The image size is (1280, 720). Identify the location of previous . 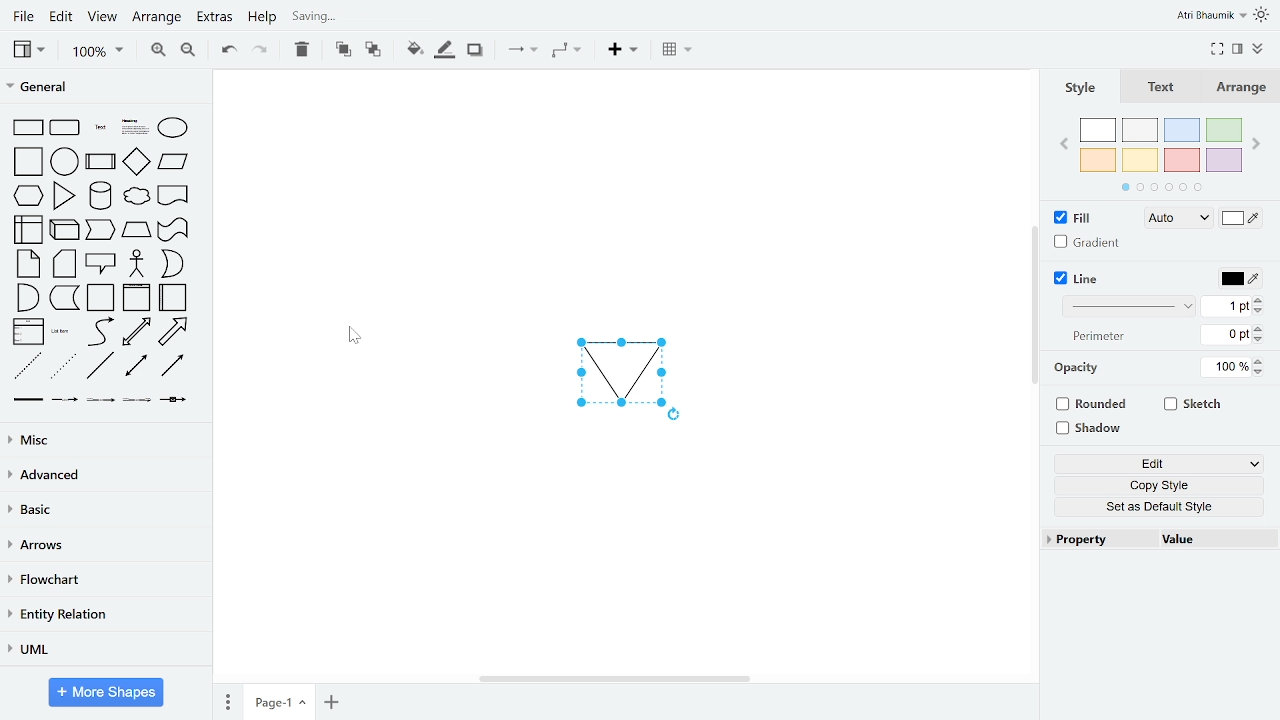
(1061, 147).